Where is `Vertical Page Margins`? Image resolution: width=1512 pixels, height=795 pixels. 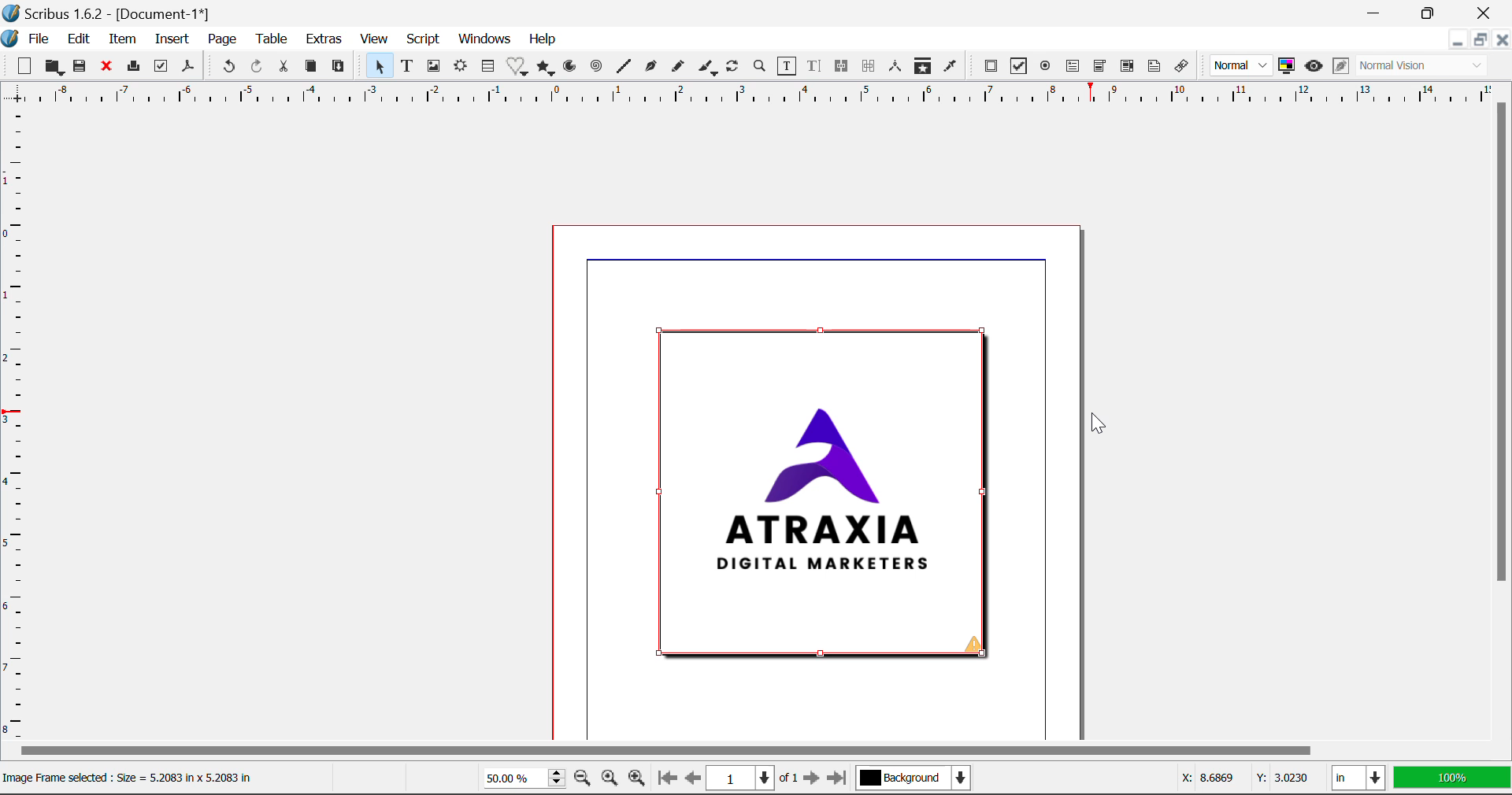
Vertical Page Margins is located at coordinates (747, 98).